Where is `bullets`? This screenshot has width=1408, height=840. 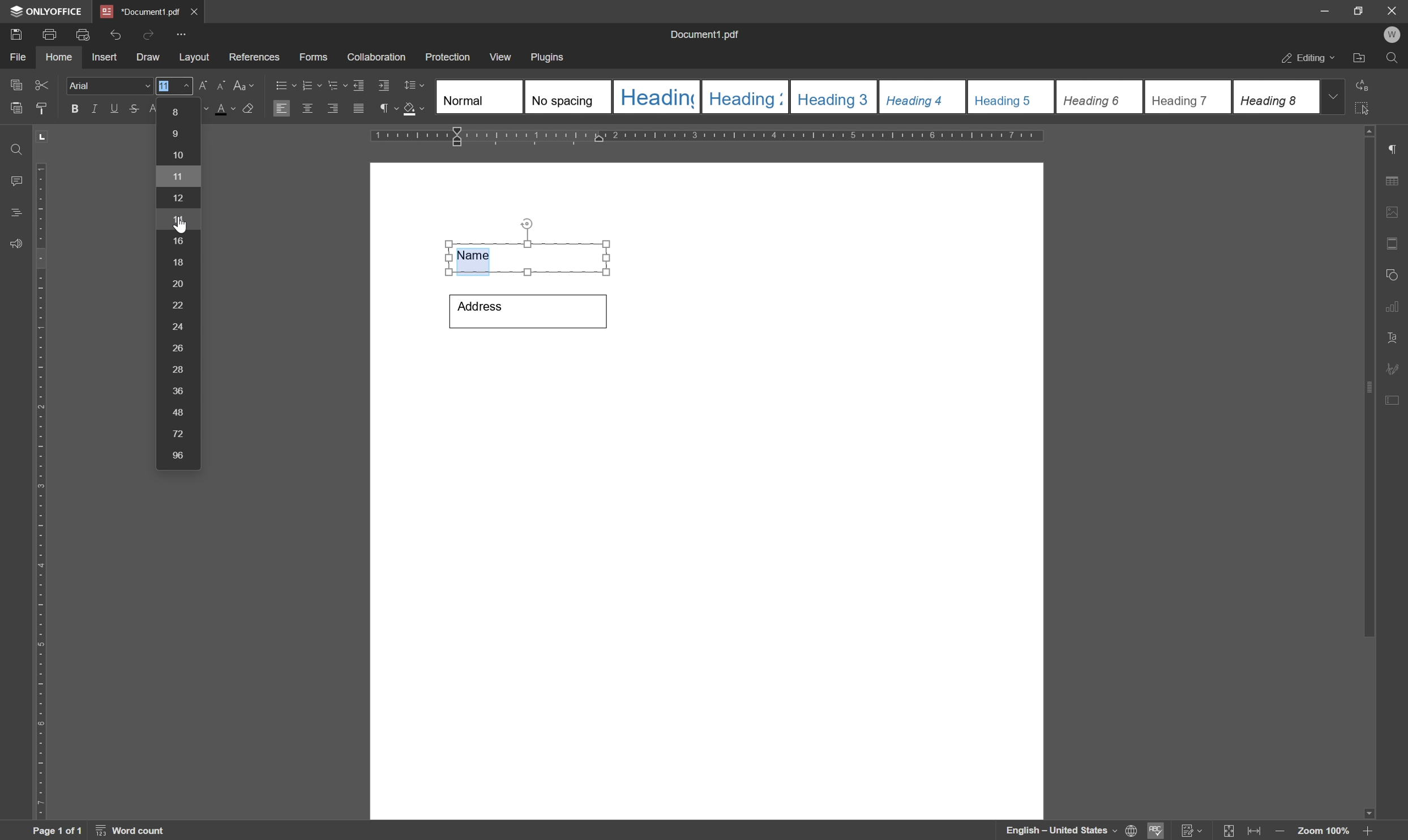
bullets is located at coordinates (284, 84).